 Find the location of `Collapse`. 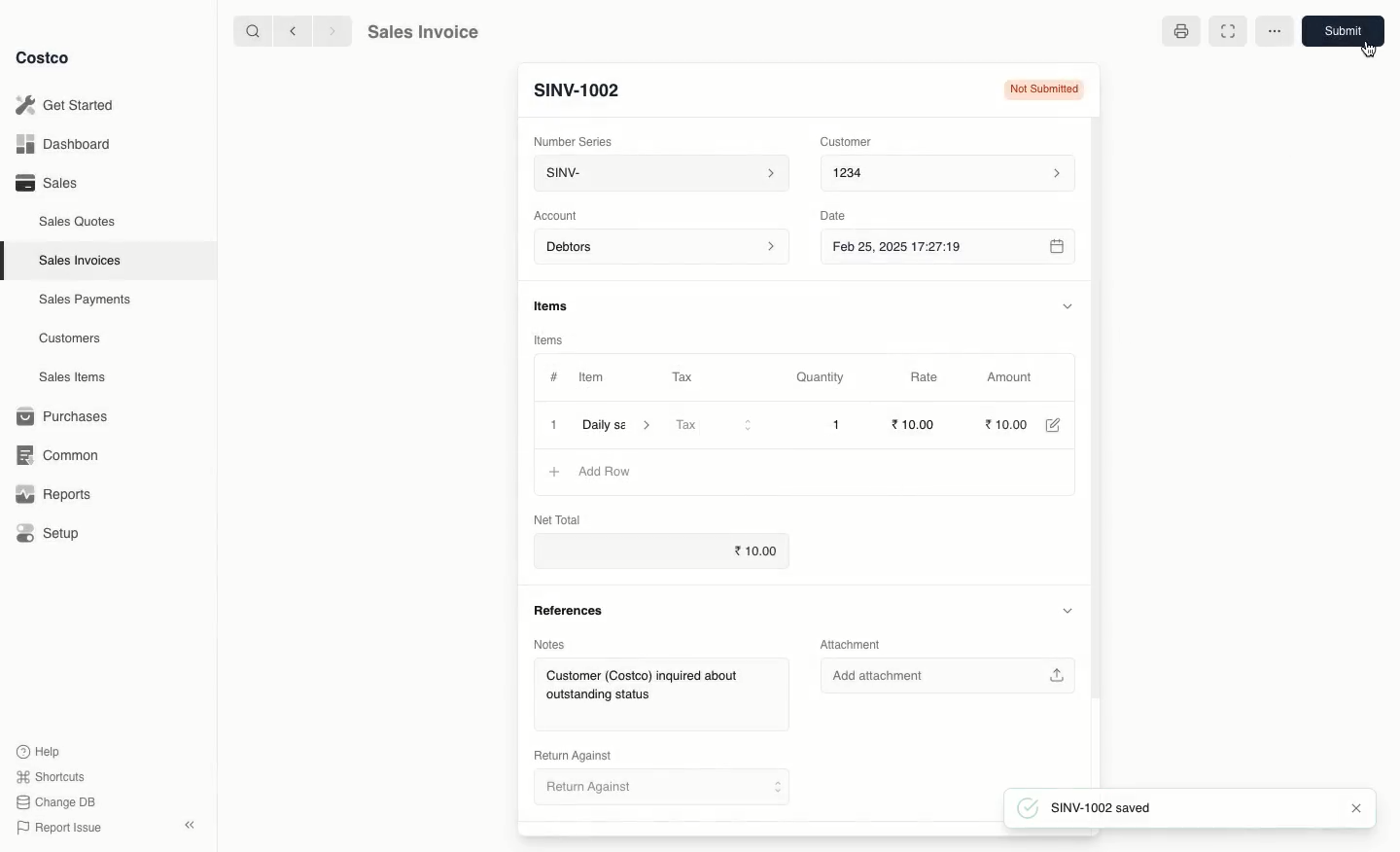

Collapse is located at coordinates (189, 825).